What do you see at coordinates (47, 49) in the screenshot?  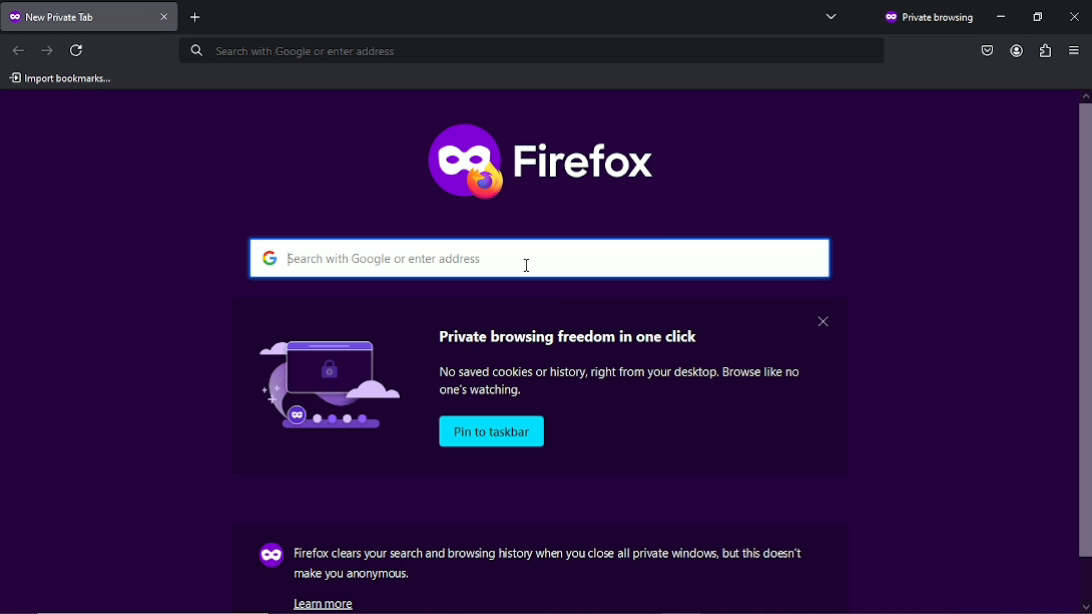 I see `go forward` at bounding box center [47, 49].